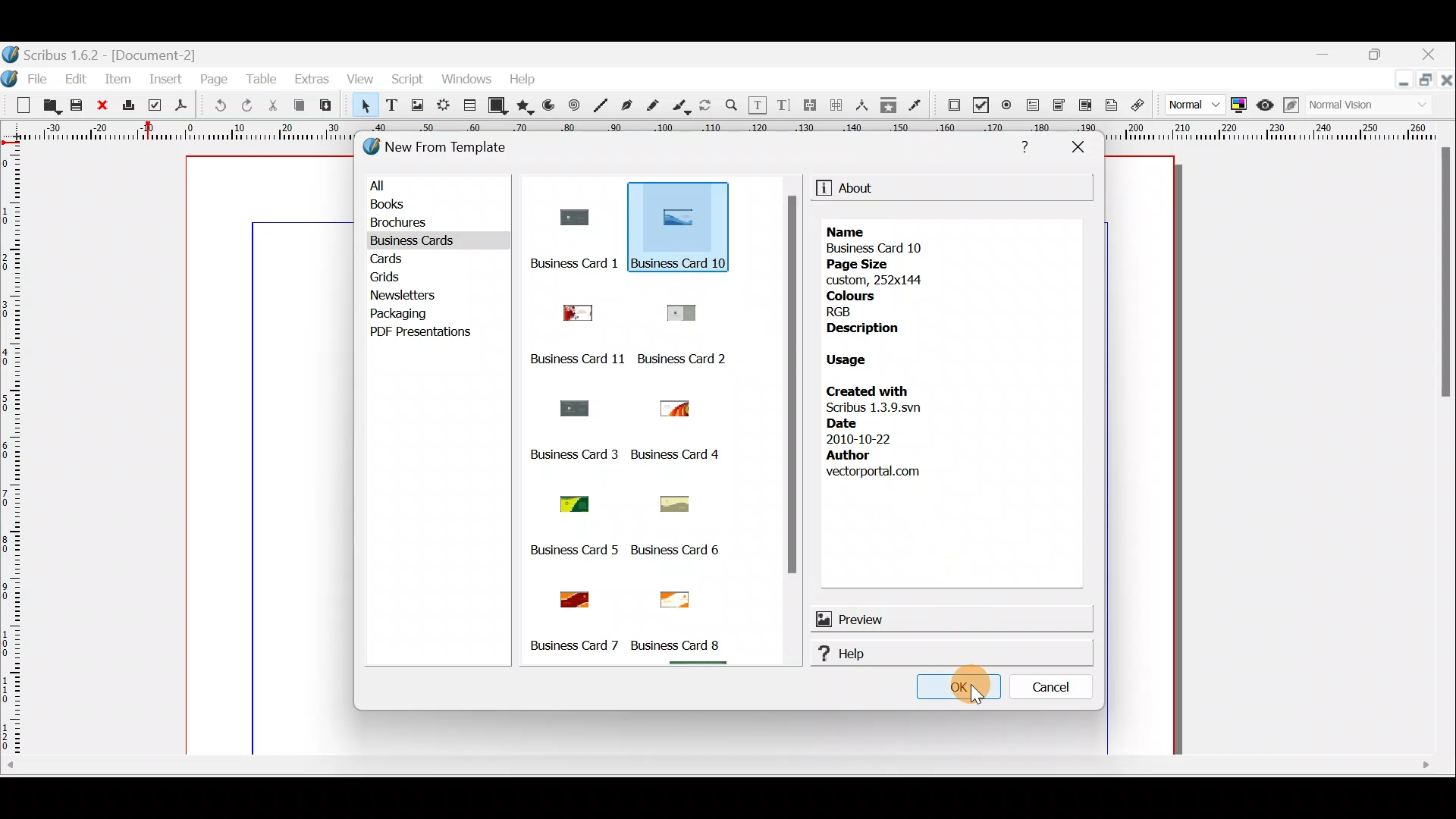 This screenshot has width=1456, height=819. I want to click on Zoom in or out, so click(733, 106).